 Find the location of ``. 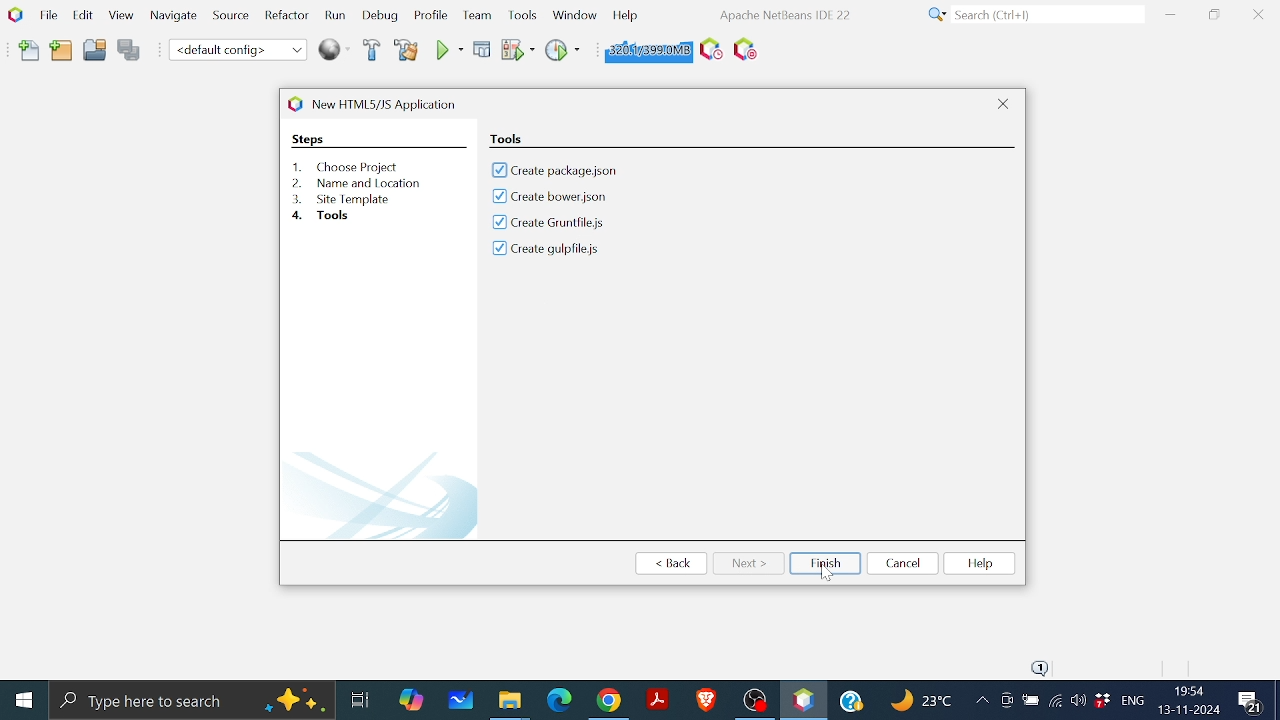

 is located at coordinates (1078, 699).